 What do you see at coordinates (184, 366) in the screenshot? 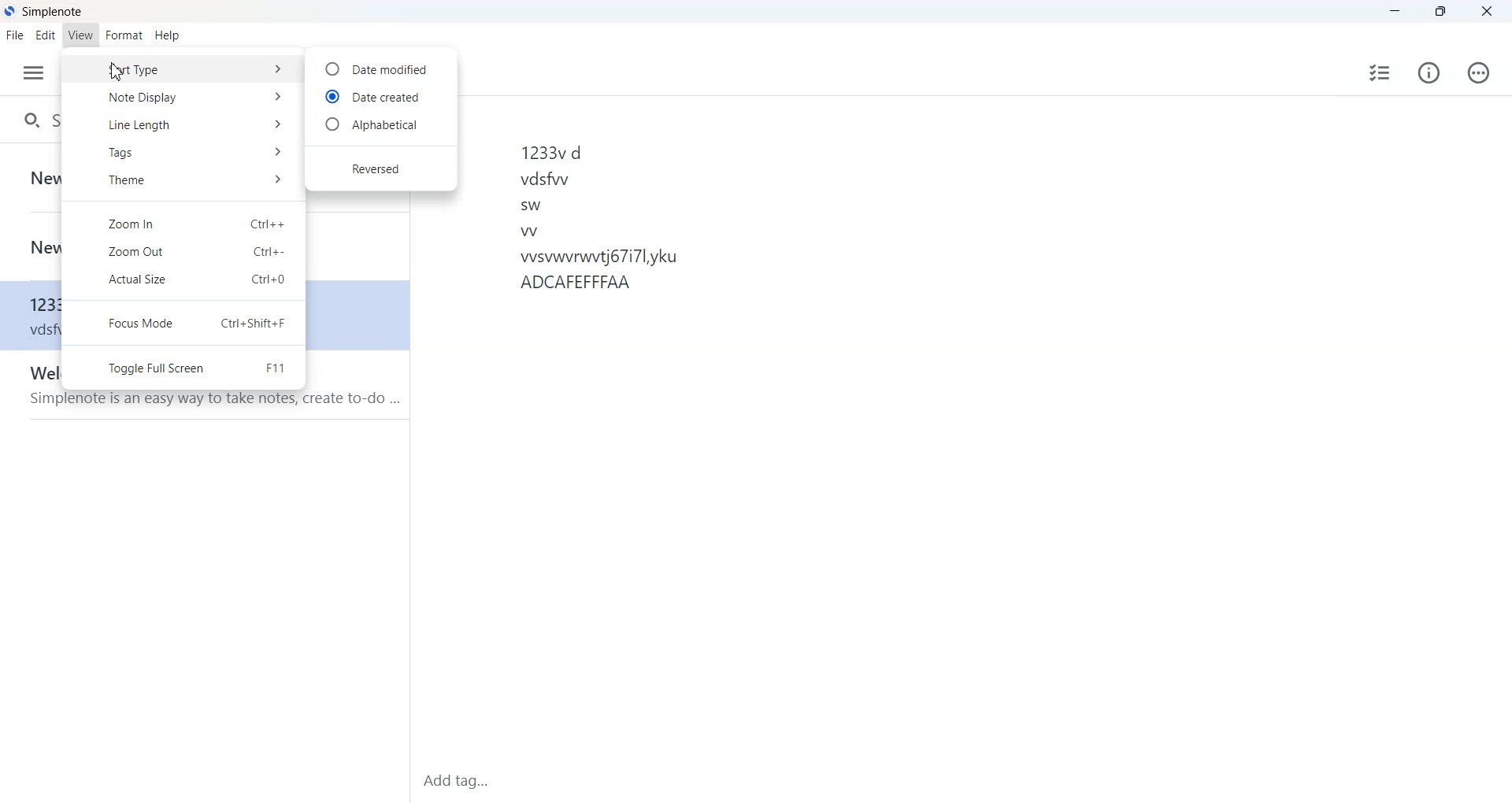
I see `Toggle full screen` at bounding box center [184, 366].